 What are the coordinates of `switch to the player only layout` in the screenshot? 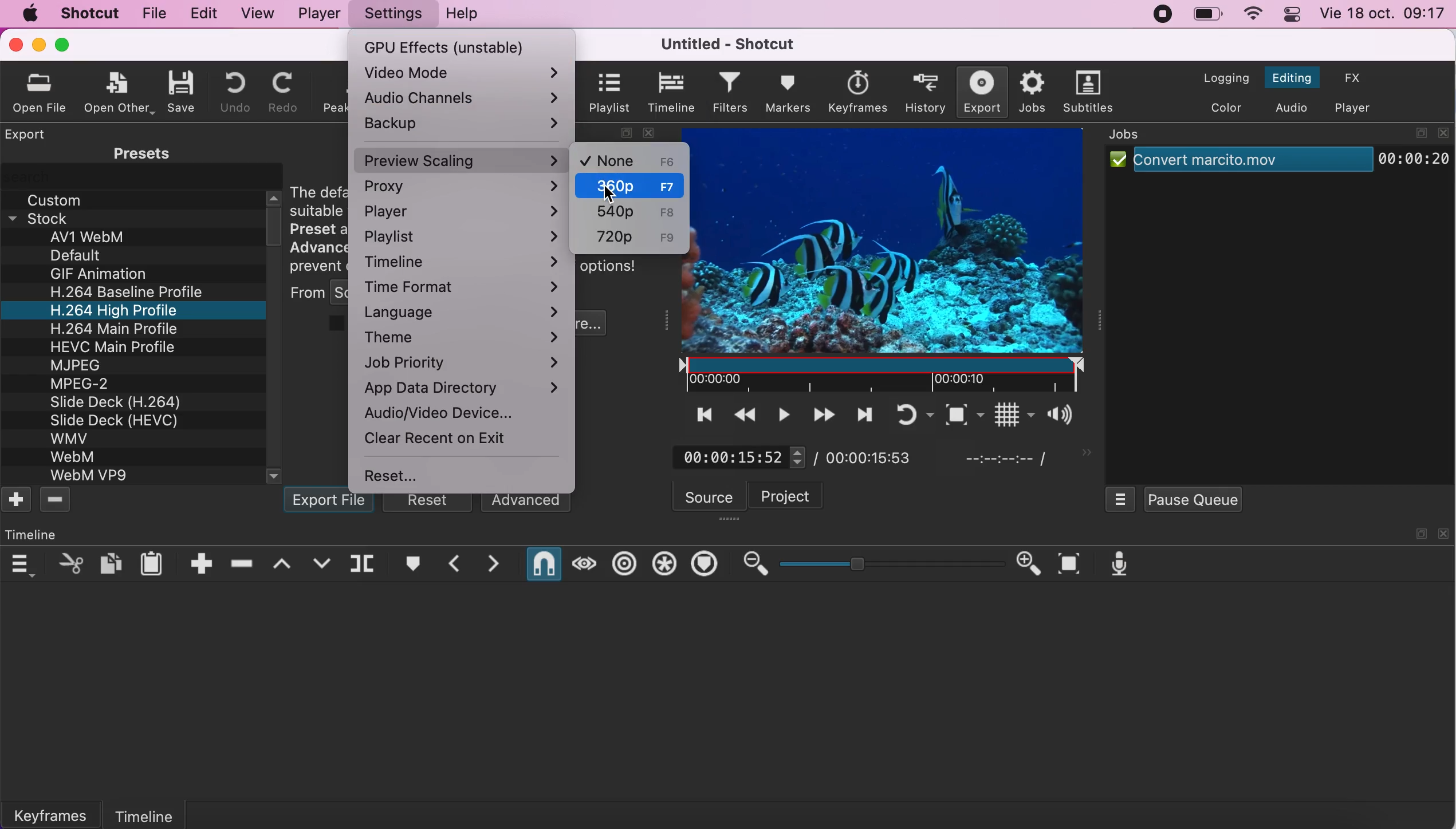 It's located at (1354, 109).